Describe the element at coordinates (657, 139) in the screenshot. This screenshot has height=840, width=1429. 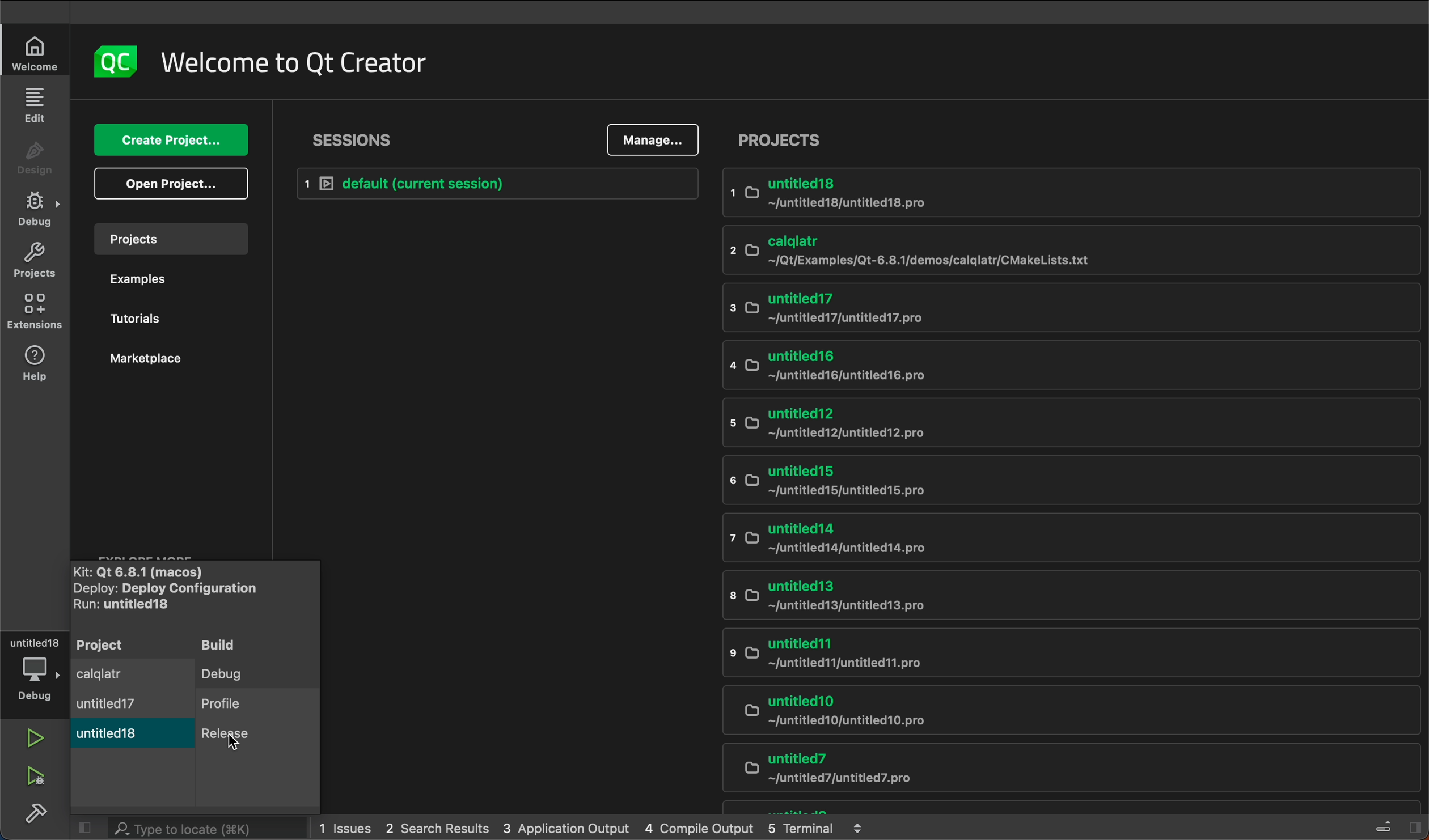
I see `manage` at that location.